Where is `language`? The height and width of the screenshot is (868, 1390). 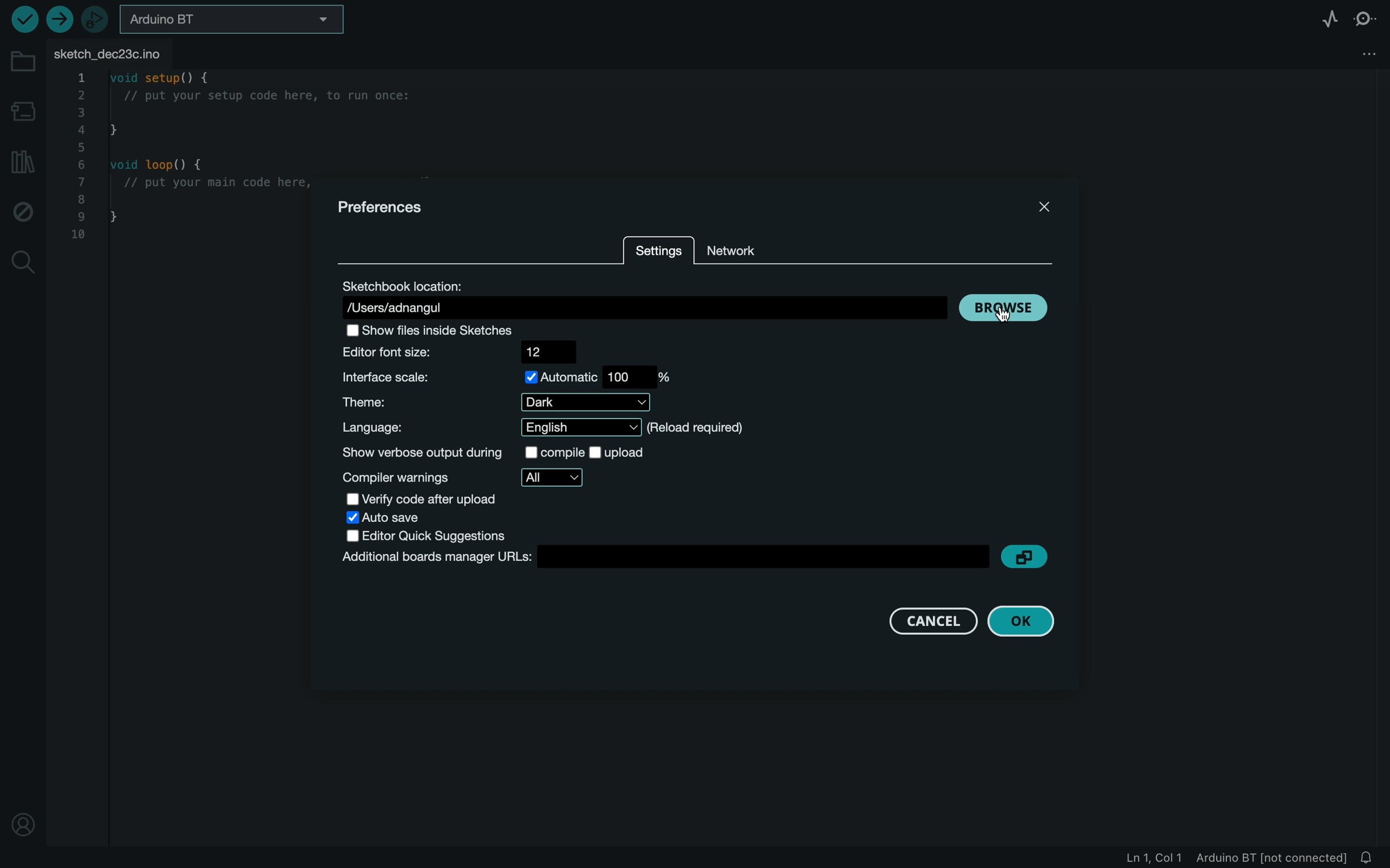
language is located at coordinates (540, 429).